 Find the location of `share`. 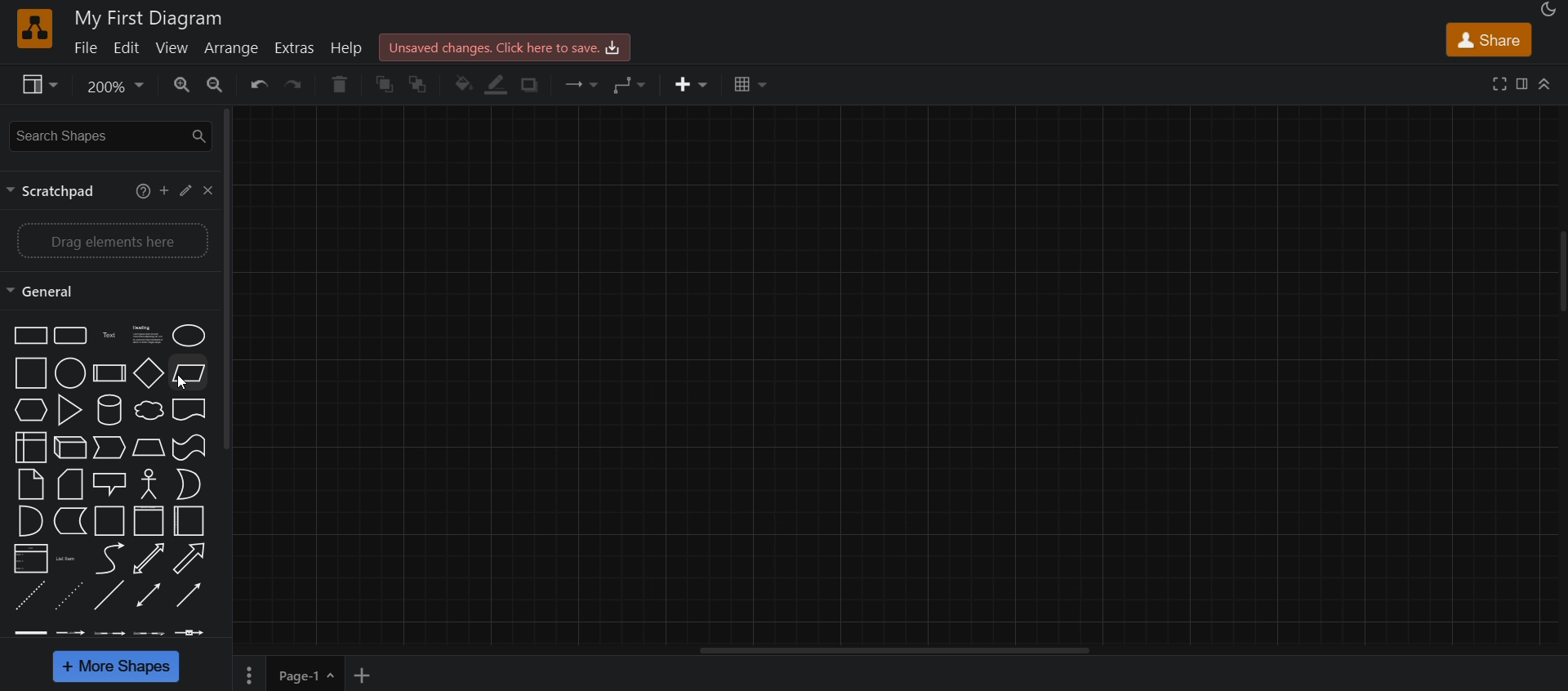

share is located at coordinates (1487, 39).